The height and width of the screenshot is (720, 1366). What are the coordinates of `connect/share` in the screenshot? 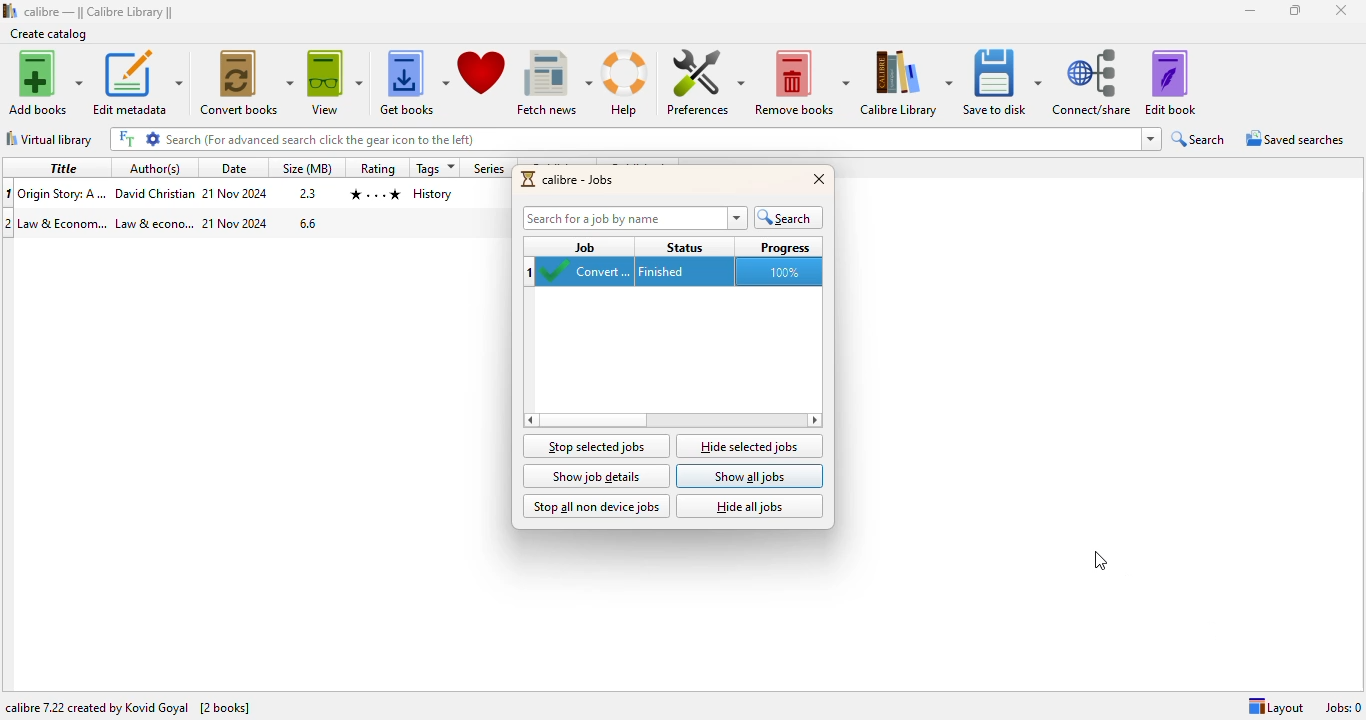 It's located at (1093, 82).